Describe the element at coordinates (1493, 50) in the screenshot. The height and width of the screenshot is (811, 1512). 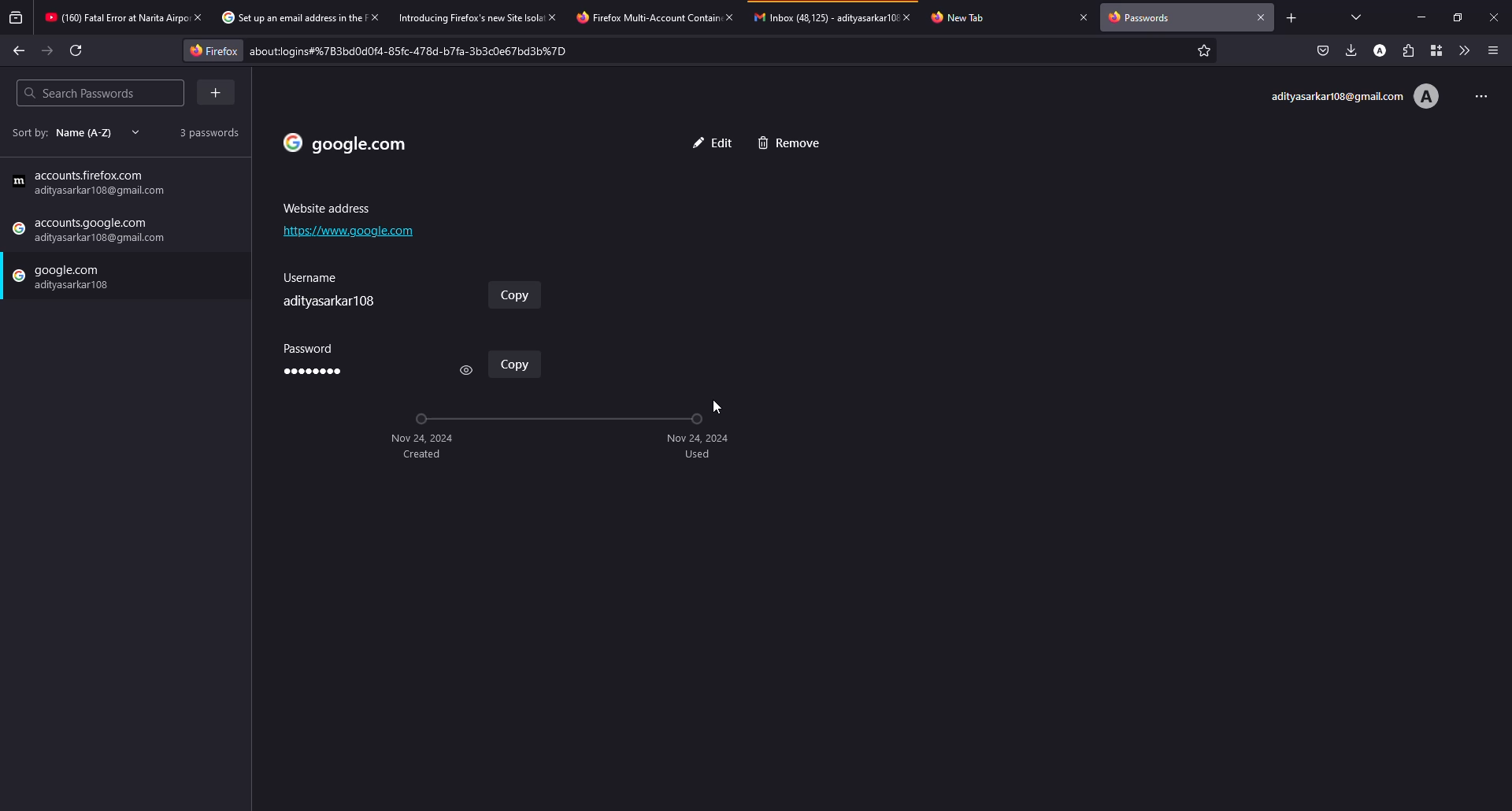
I see `menu` at that location.